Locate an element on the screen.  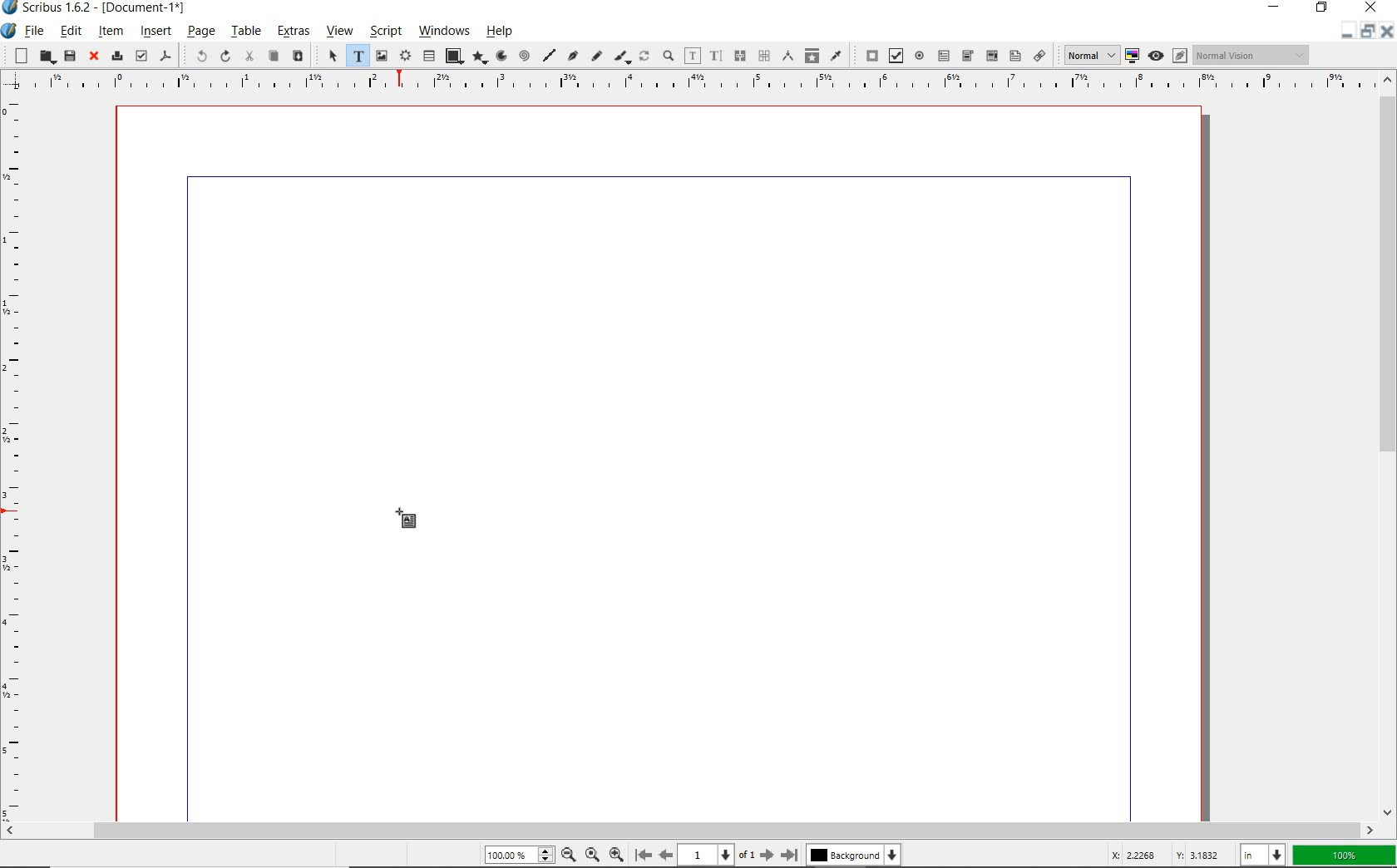
eye dropper is located at coordinates (837, 55).